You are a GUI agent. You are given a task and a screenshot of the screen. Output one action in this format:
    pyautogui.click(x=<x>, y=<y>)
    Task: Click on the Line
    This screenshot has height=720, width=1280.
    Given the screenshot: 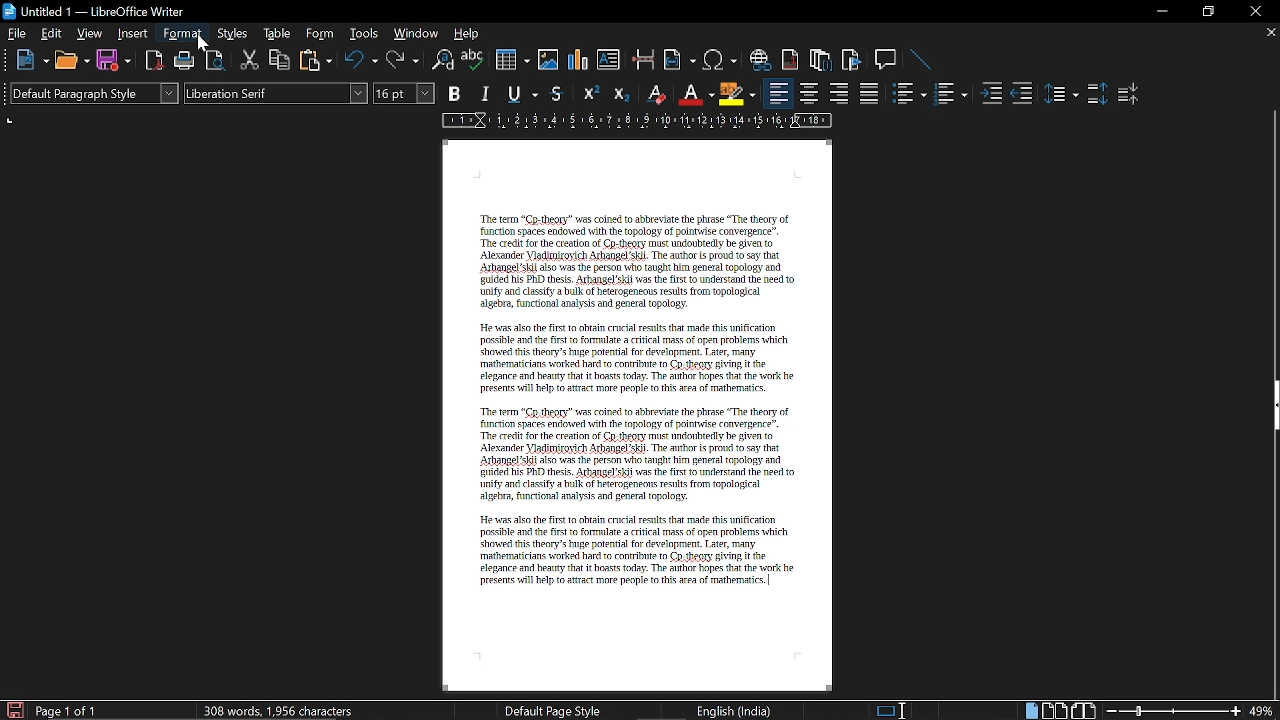 What is the action you would take?
    pyautogui.click(x=925, y=61)
    